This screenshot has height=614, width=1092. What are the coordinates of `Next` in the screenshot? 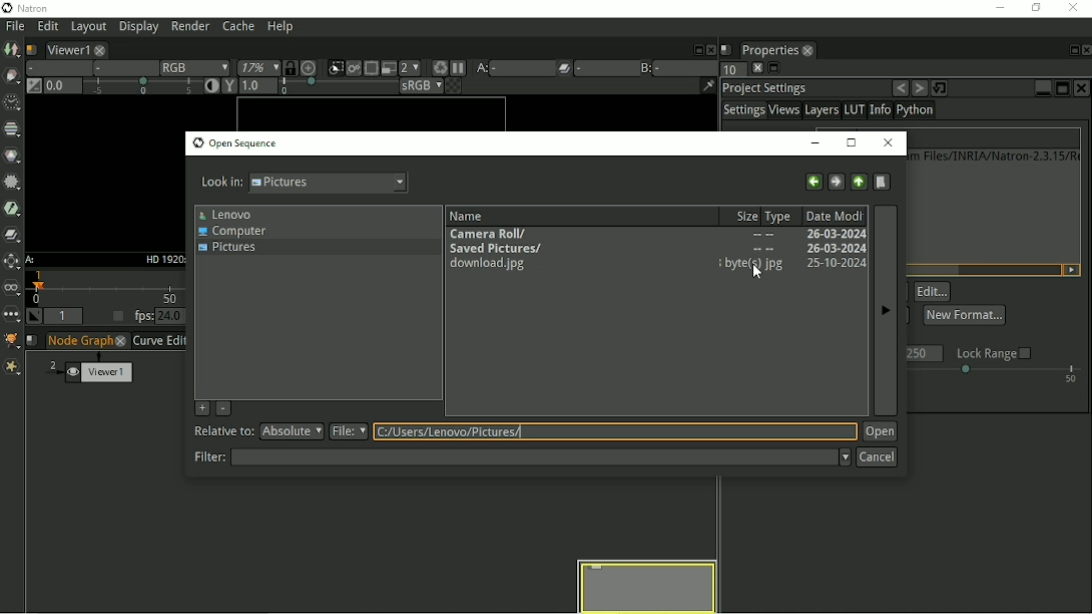 It's located at (884, 310).